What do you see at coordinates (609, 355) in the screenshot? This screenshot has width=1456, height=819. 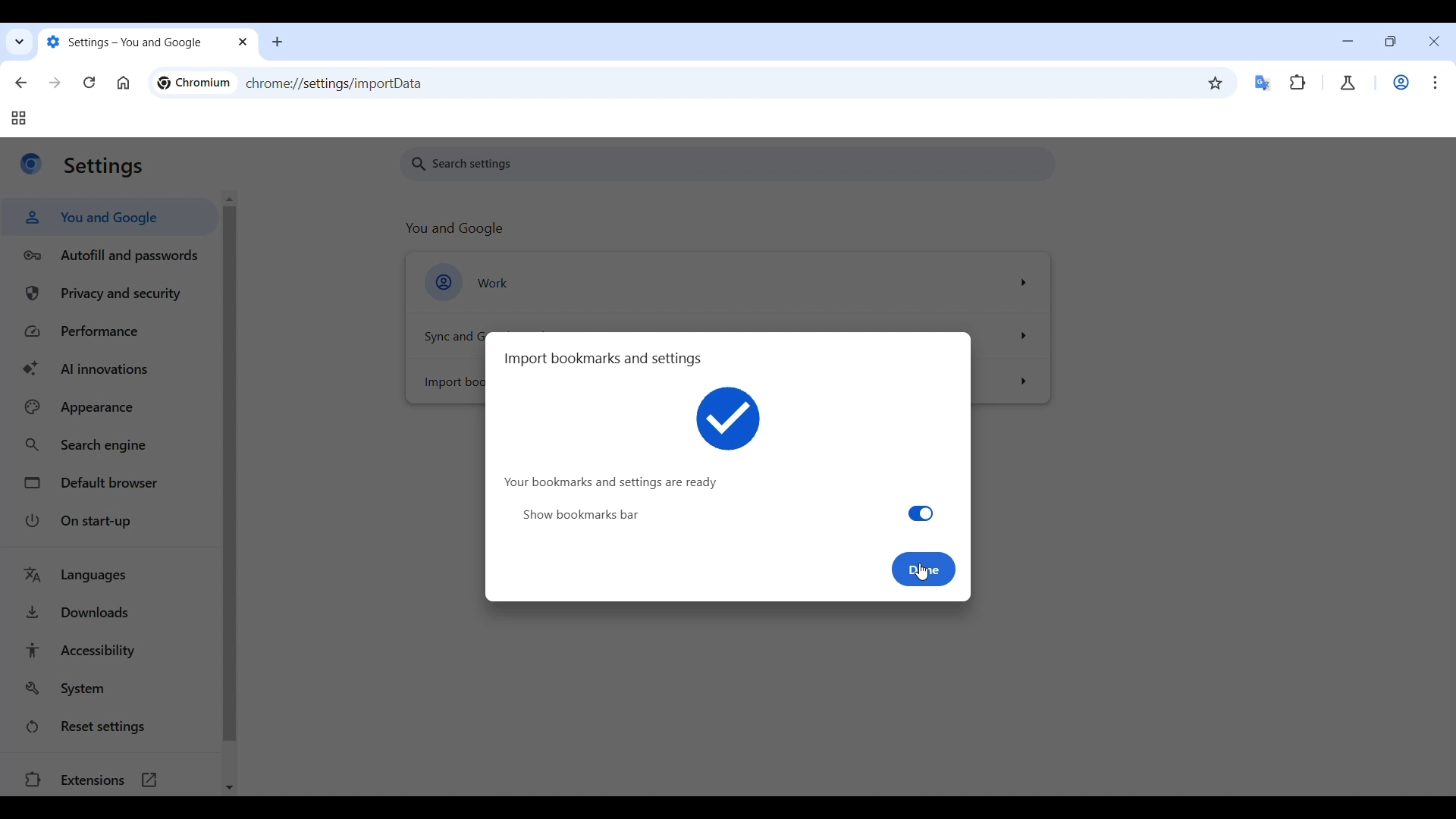 I see `import bookmarks and settings` at bounding box center [609, 355].